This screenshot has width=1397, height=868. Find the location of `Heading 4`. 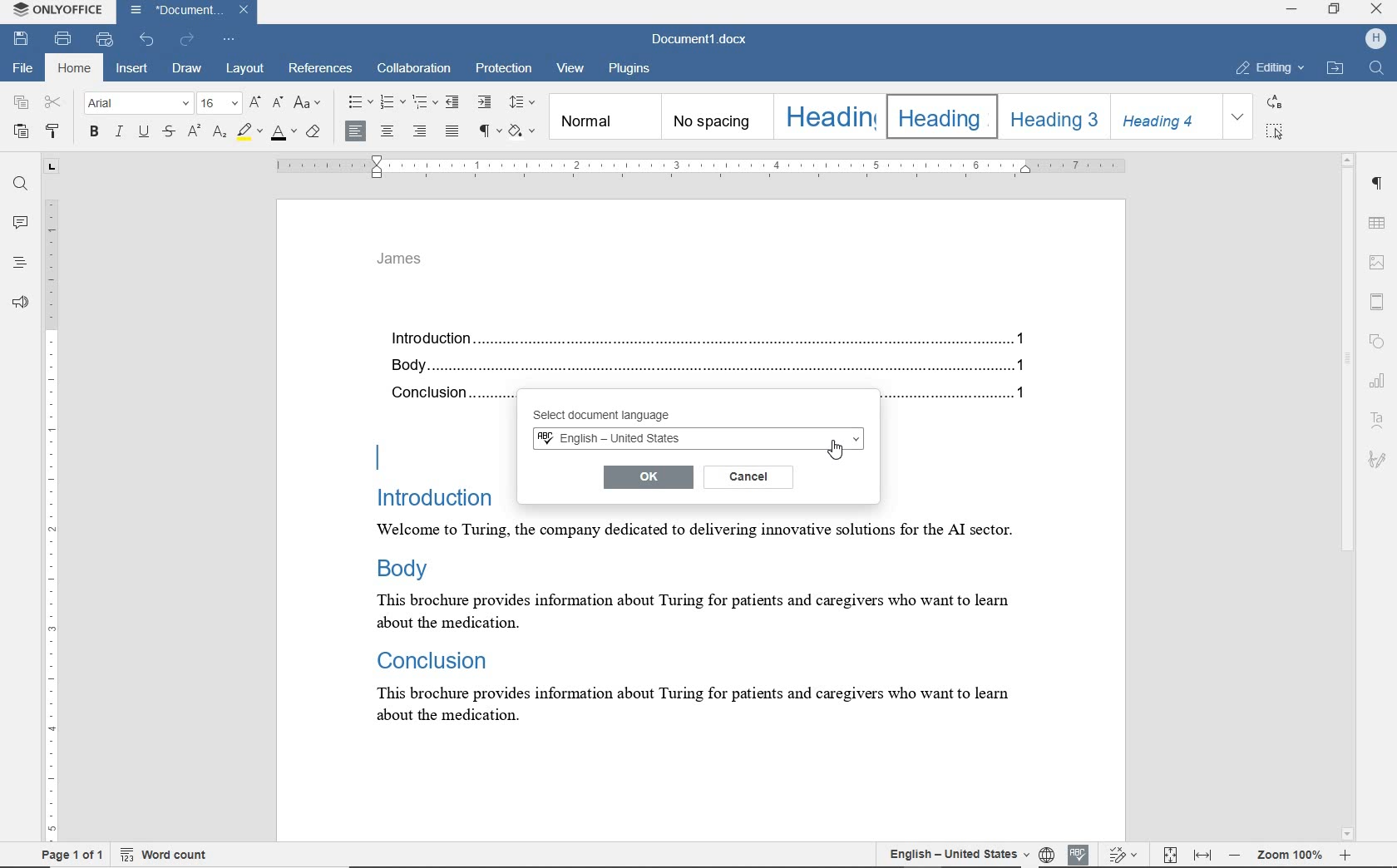

Heading 4 is located at coordinates (1165, 116).